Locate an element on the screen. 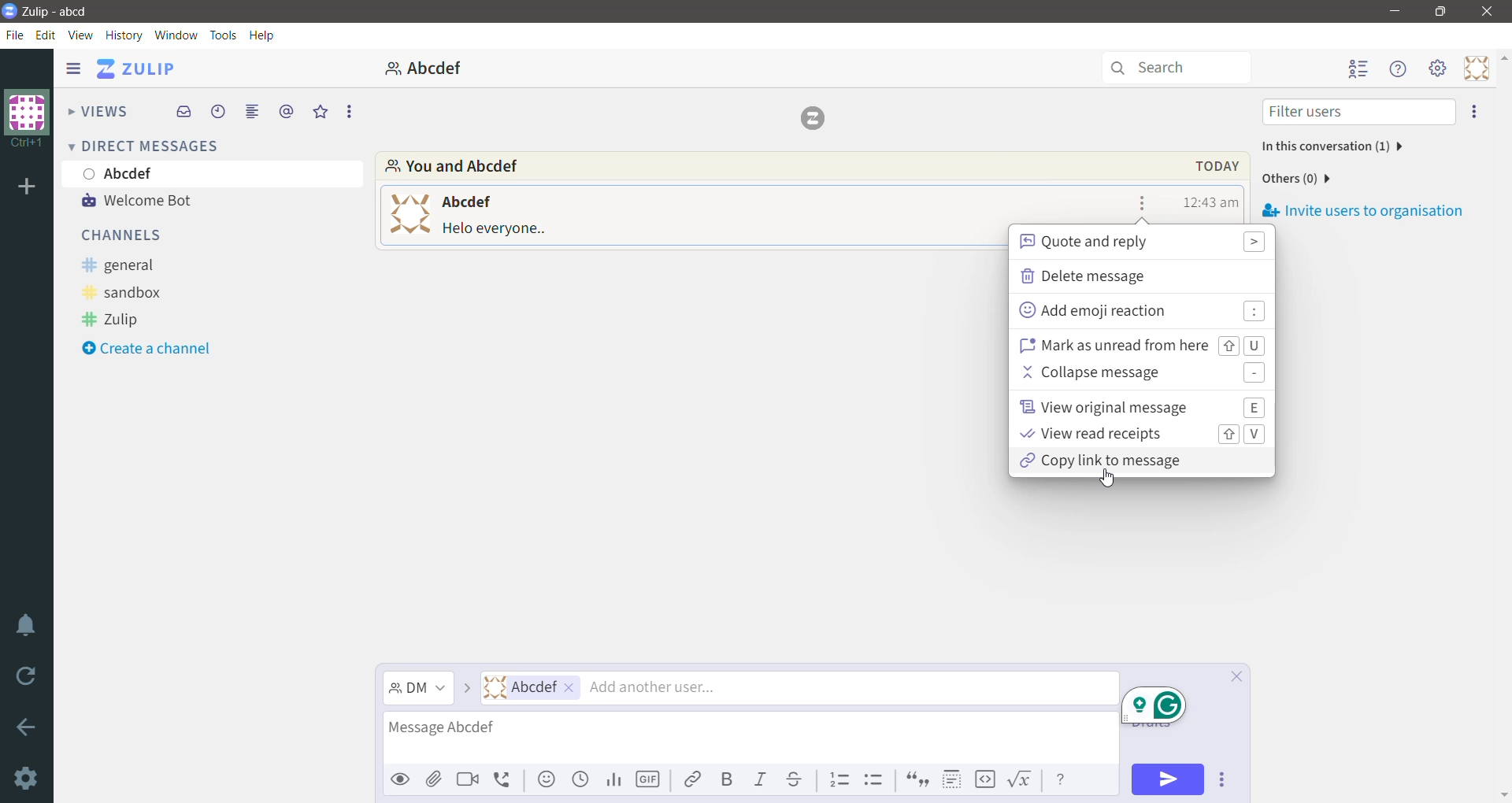  Filter users is located at coordinates (1357, 112).